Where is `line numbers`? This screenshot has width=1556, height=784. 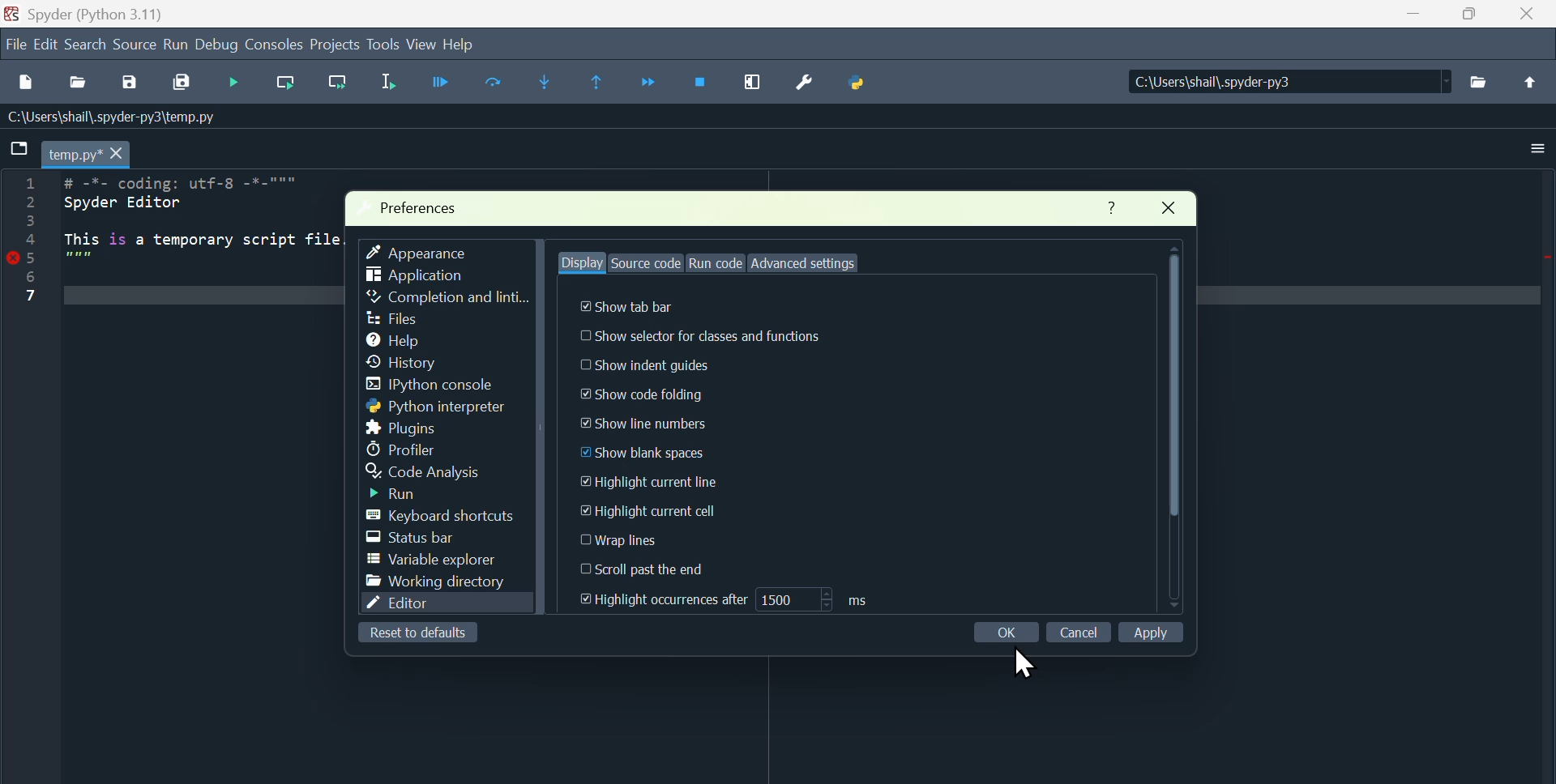
line numbers is located at coordinates (23, 245).